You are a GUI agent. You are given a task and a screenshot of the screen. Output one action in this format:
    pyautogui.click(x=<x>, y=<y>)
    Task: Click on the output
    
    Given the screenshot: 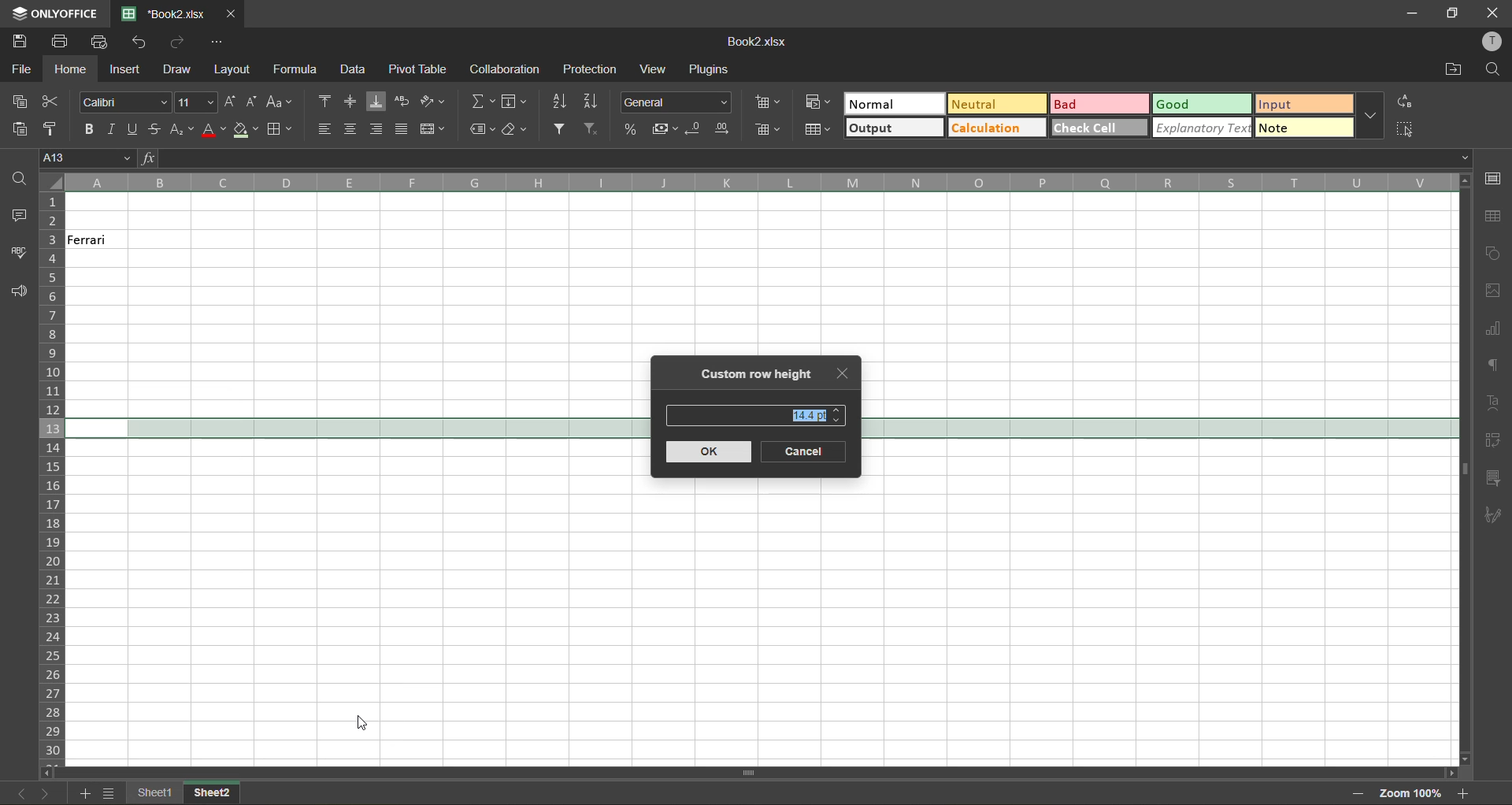 What is the action you would take?
    pyautogui.click(x=893, y=127)
    